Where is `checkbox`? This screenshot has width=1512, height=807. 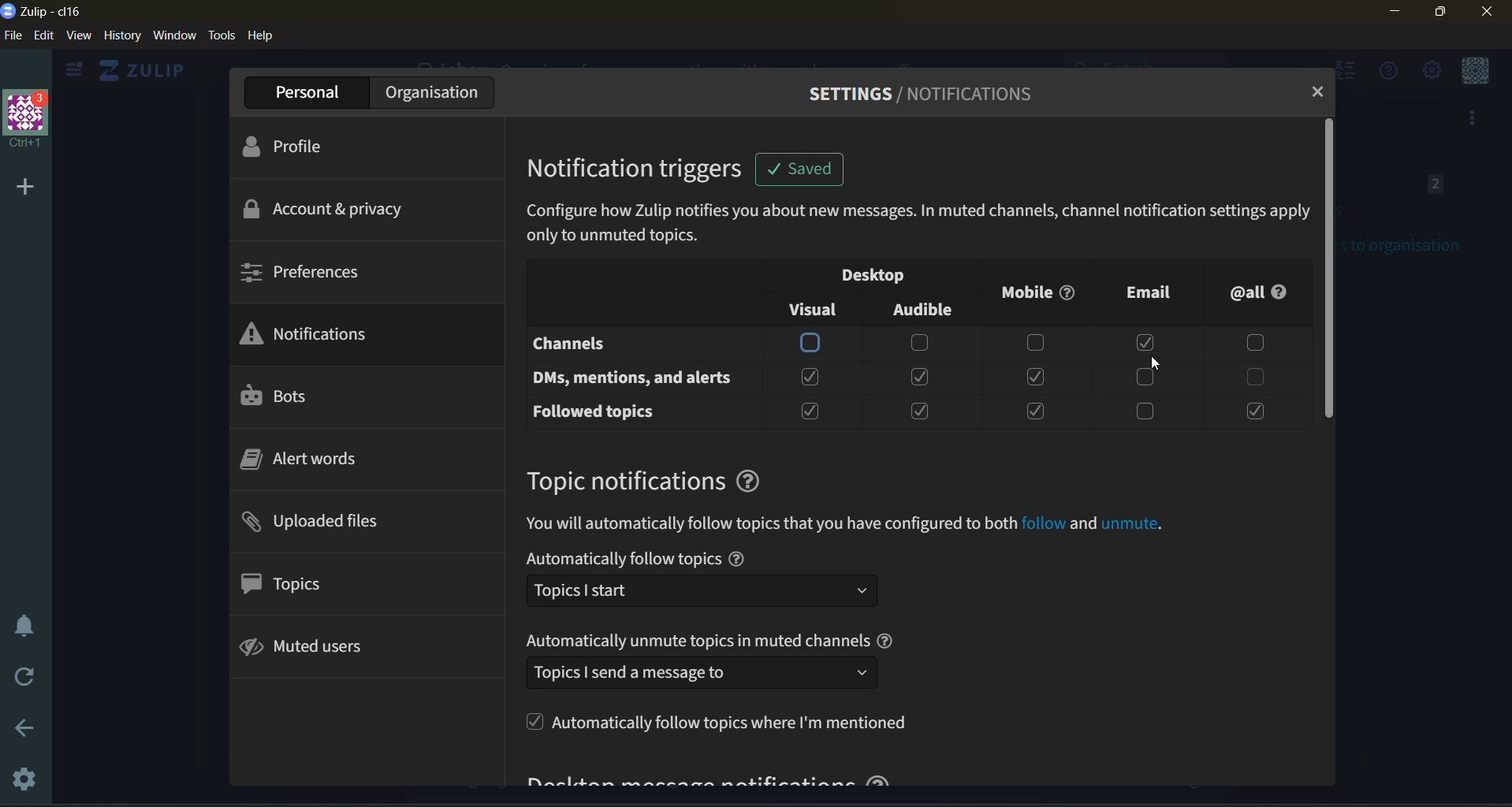
checkbox is located at coordinates (1035, 377).